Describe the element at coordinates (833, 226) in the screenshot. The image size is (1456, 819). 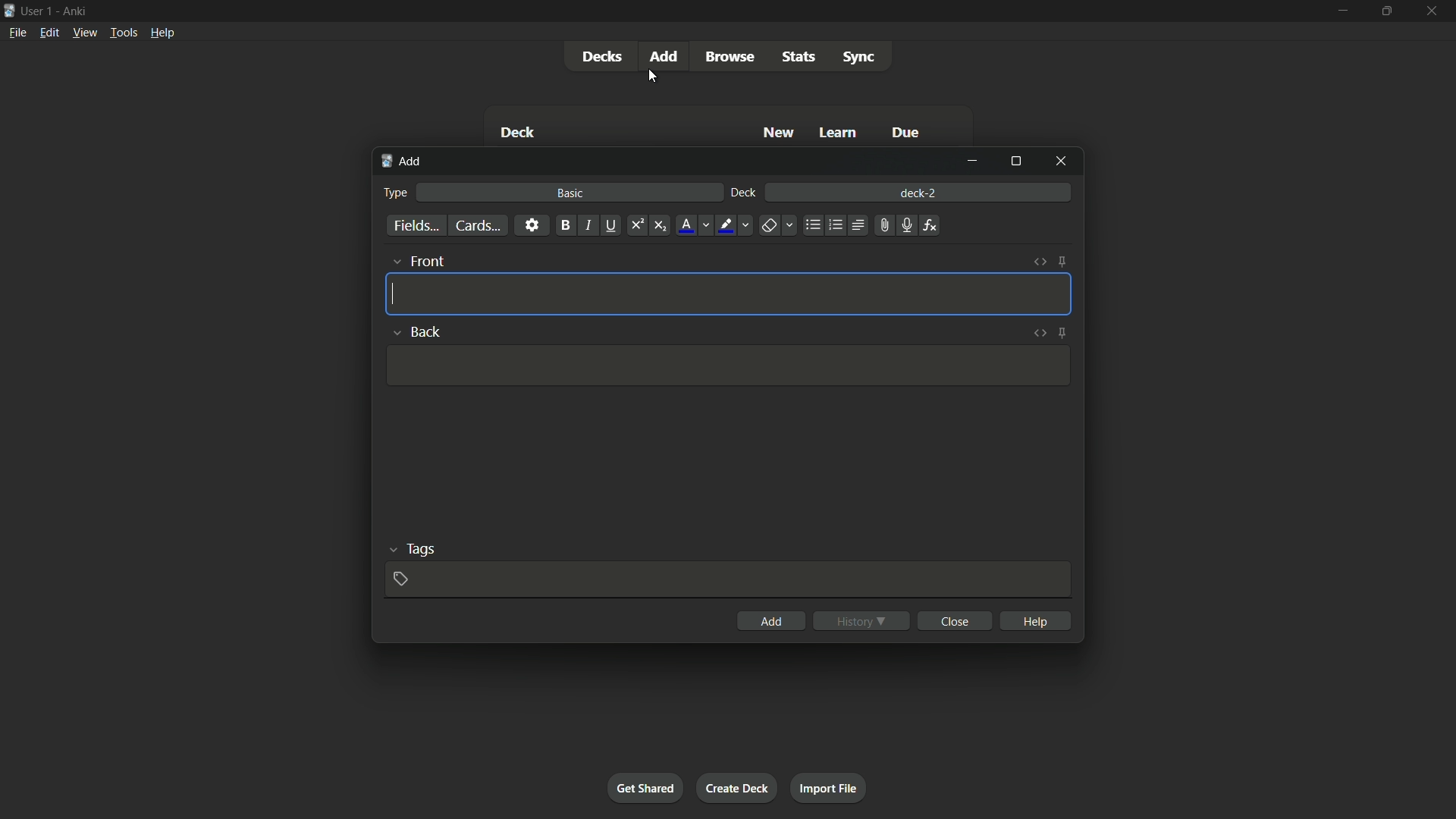
I see `ordered list` at that location.